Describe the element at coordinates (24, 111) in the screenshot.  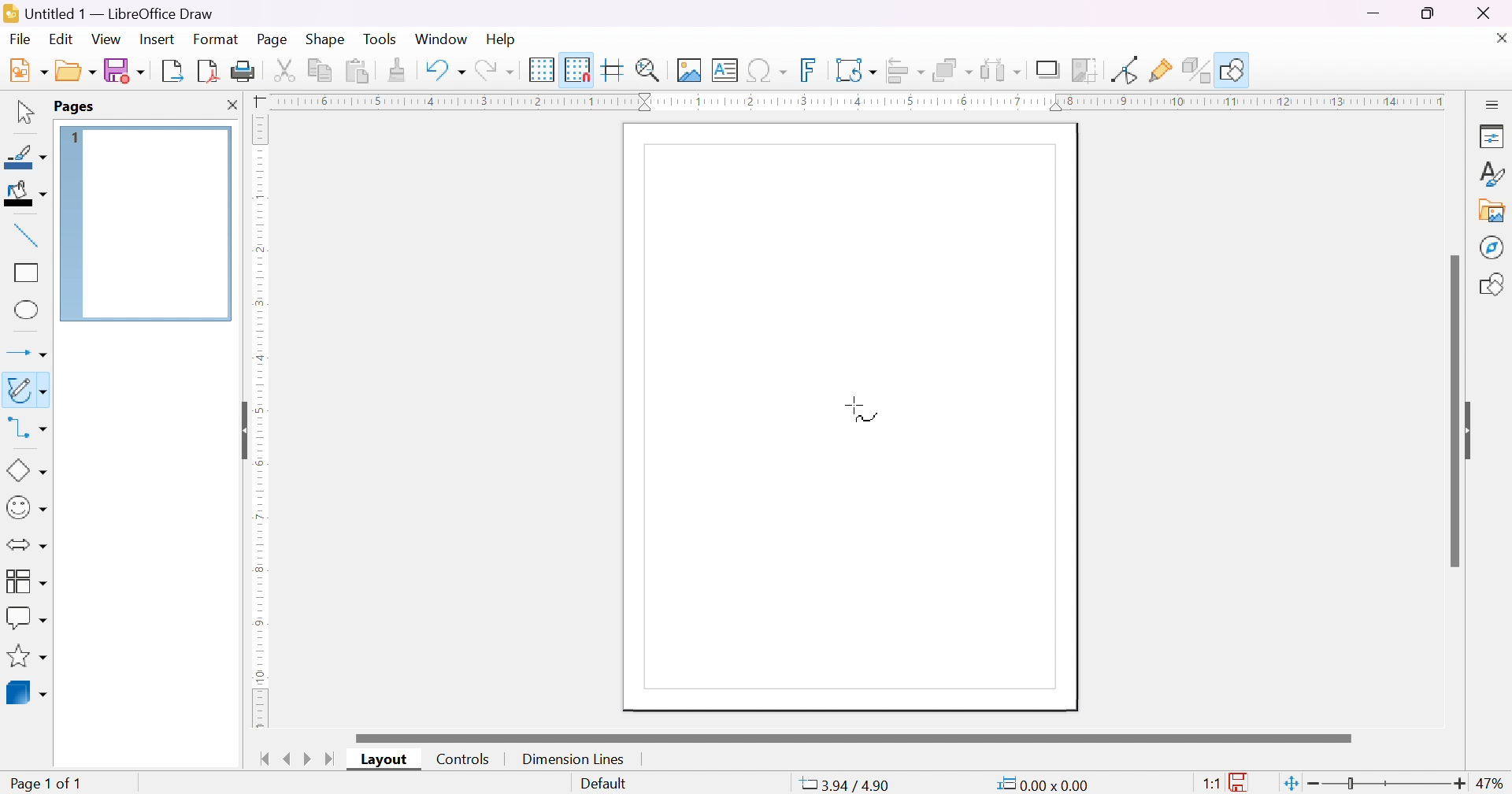
I see `selection tool` at that location.